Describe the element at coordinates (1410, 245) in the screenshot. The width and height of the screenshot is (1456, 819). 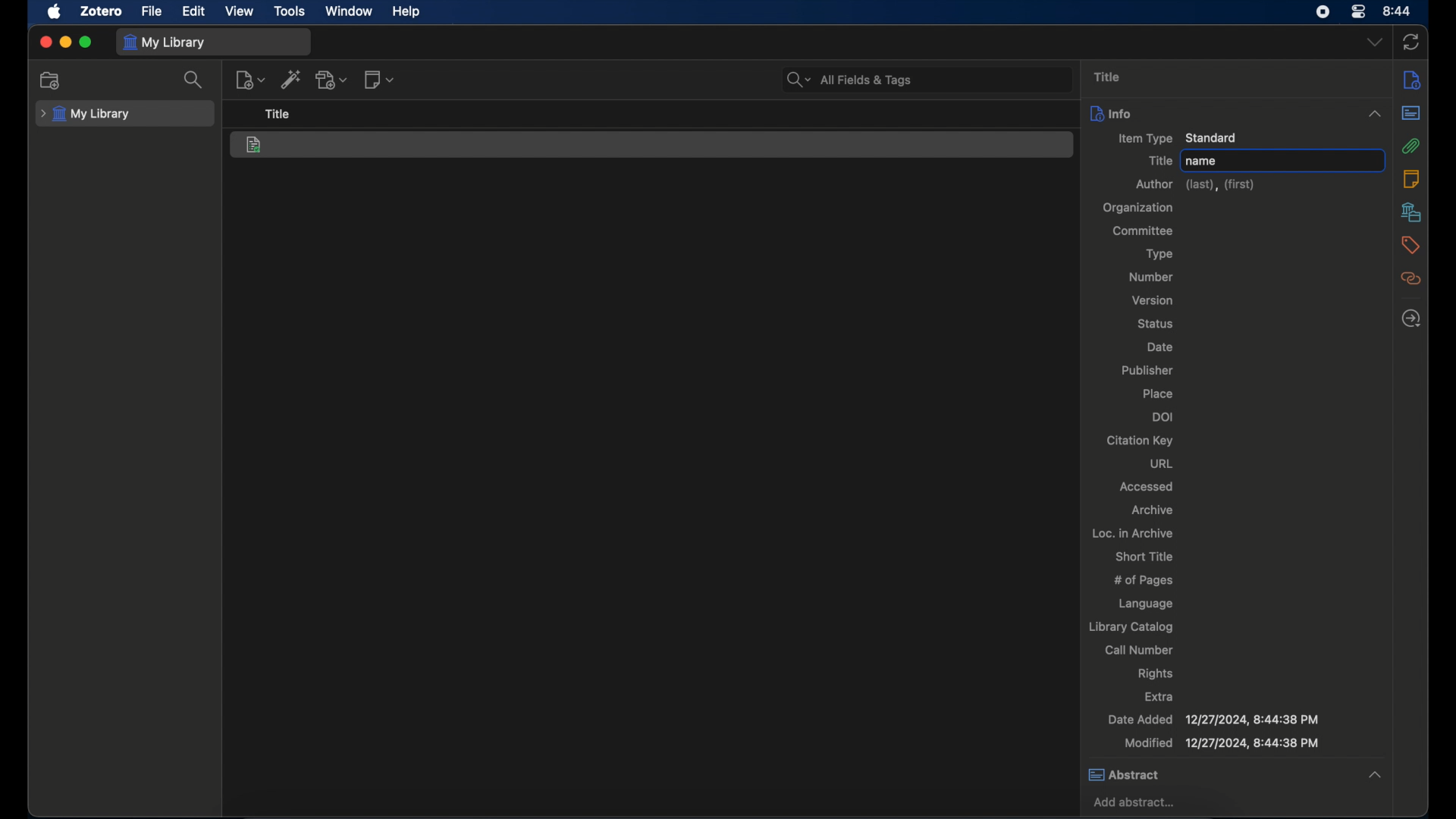
I see `tags` at that location.